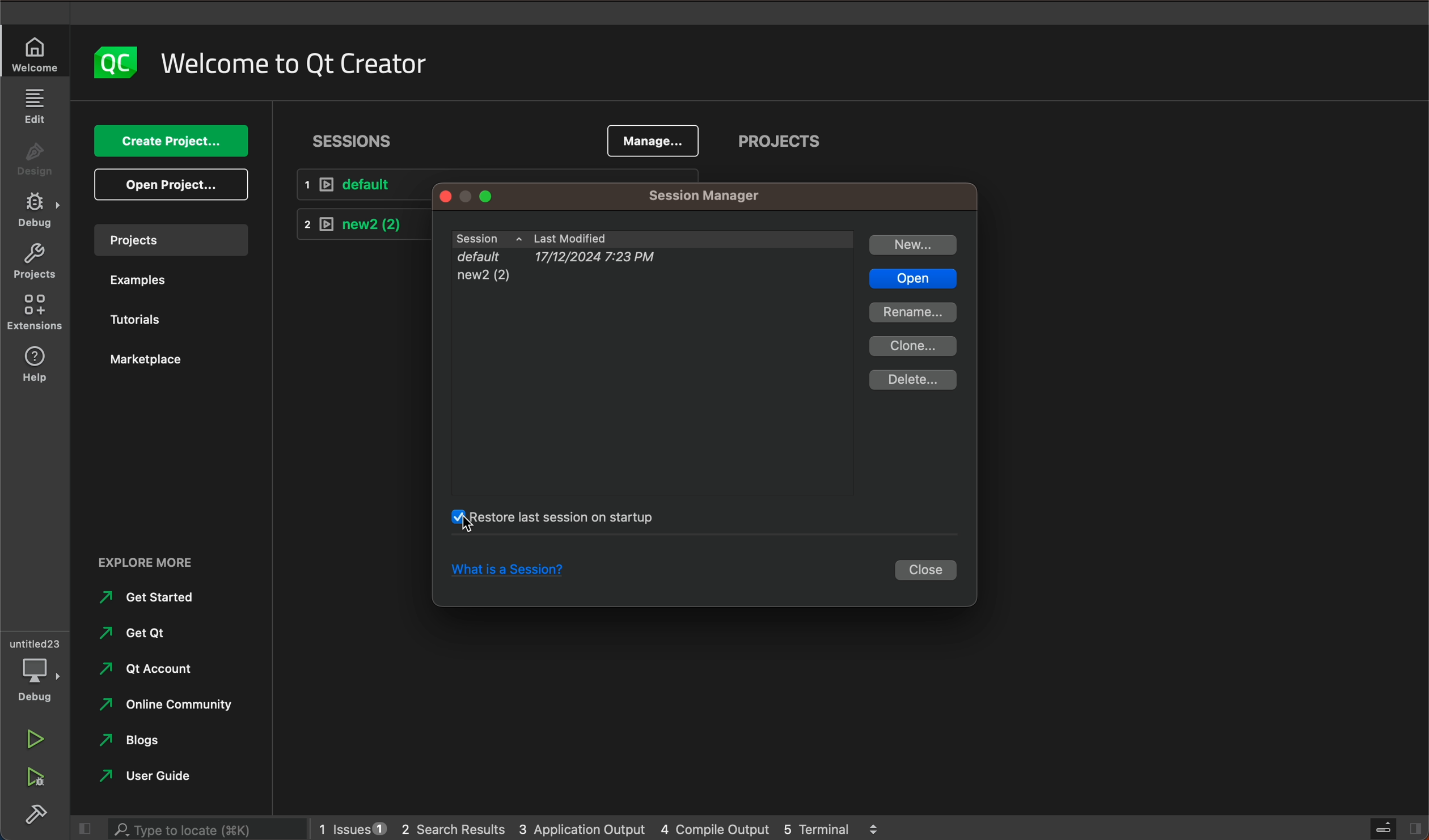 This screenshot has height=840, width=1429. Describe the element at coordinates (165, 705) in the screenshot. I see `online community` at that location.